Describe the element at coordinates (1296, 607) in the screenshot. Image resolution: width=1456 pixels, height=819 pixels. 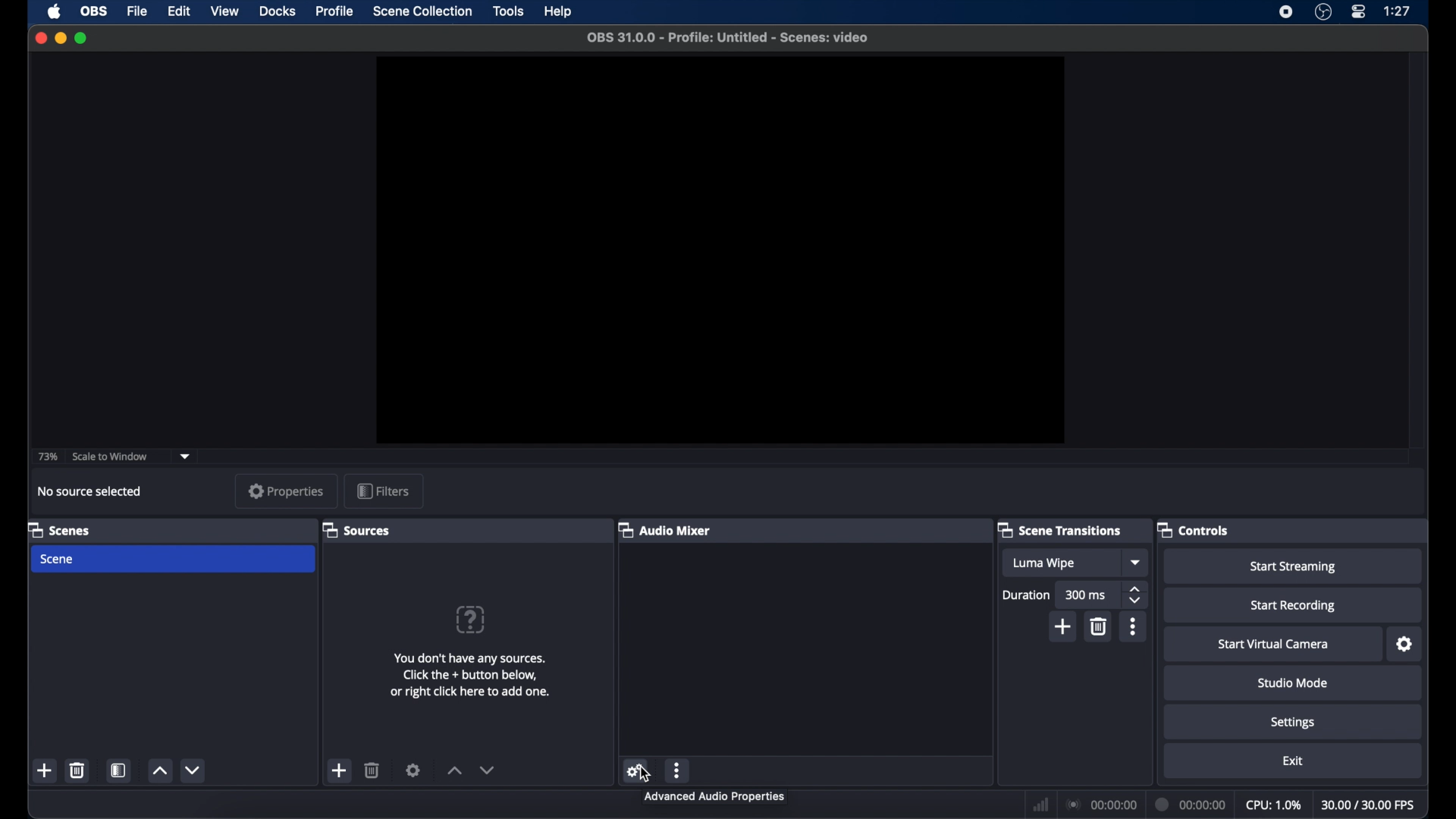
I see `start recording` at that location.